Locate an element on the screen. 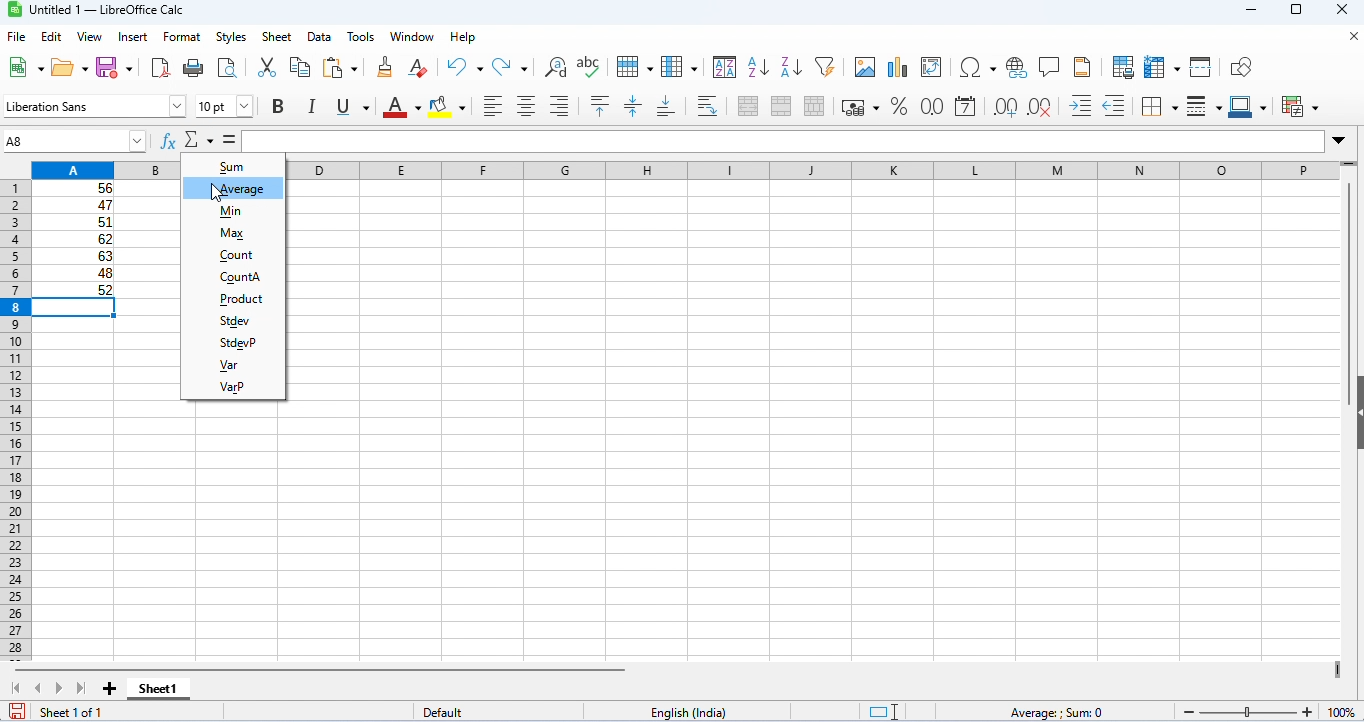 The width and height of the screenshot is (1364, 722). insert comment is located at coordinates (1050, 67).